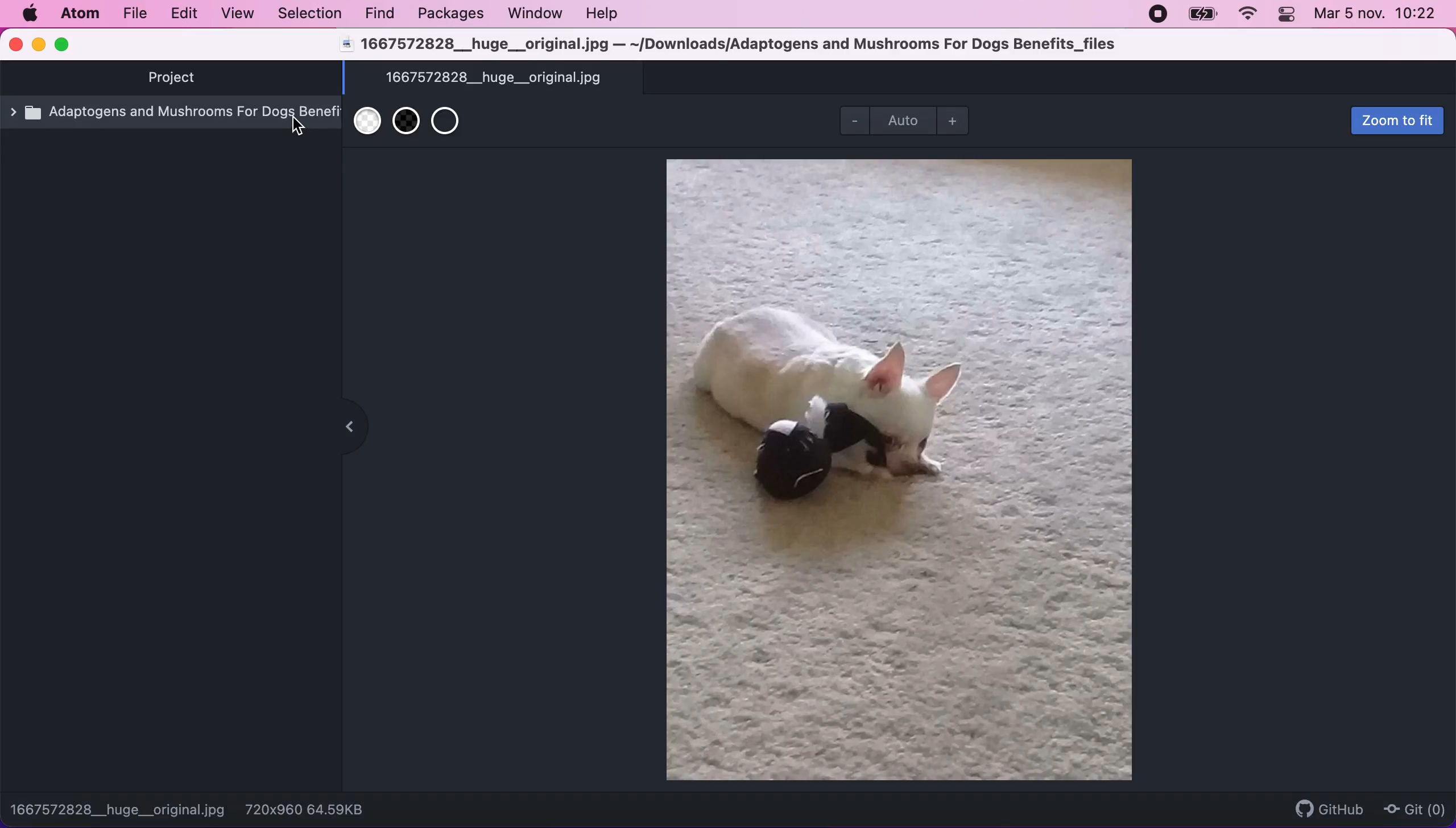 This screenshot has width=1456, height=828. Describe the element at coordinates (346, 428) in the screenshot. I see `show/hide` at that location.